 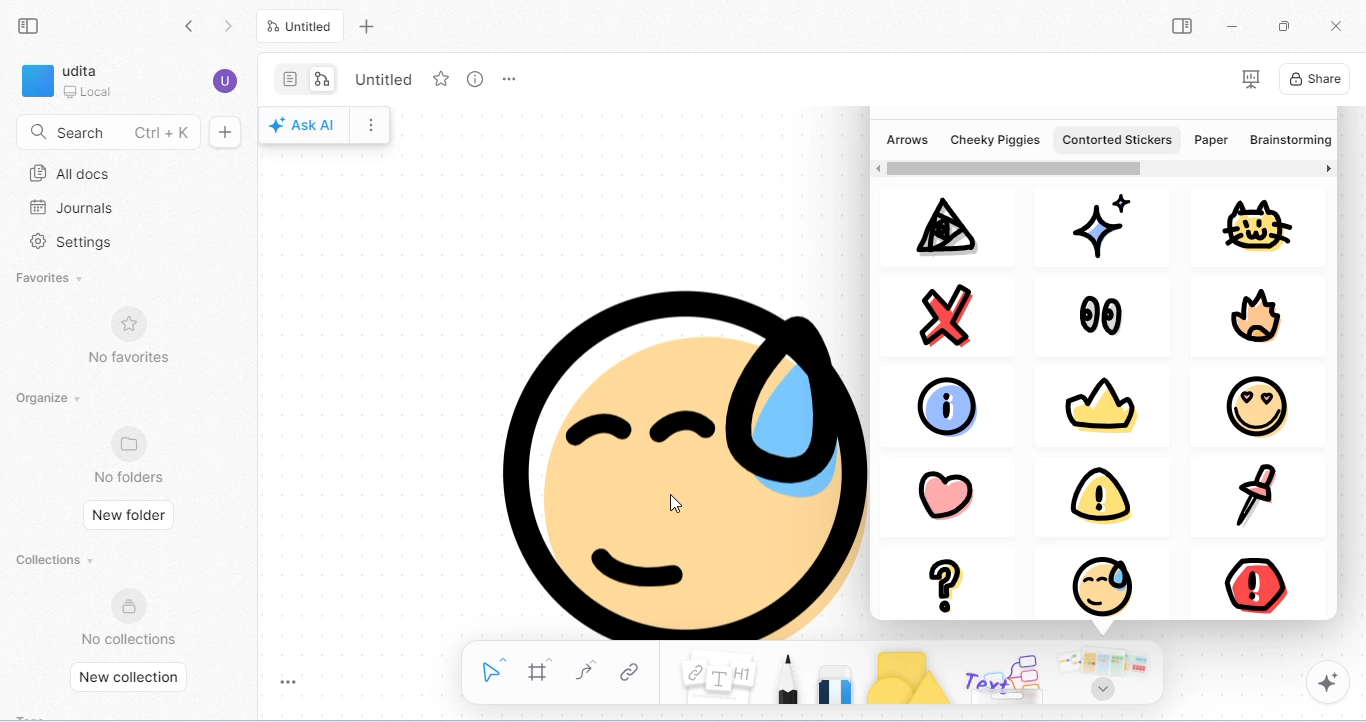 I want to click on search, so click(x=108, y=130).